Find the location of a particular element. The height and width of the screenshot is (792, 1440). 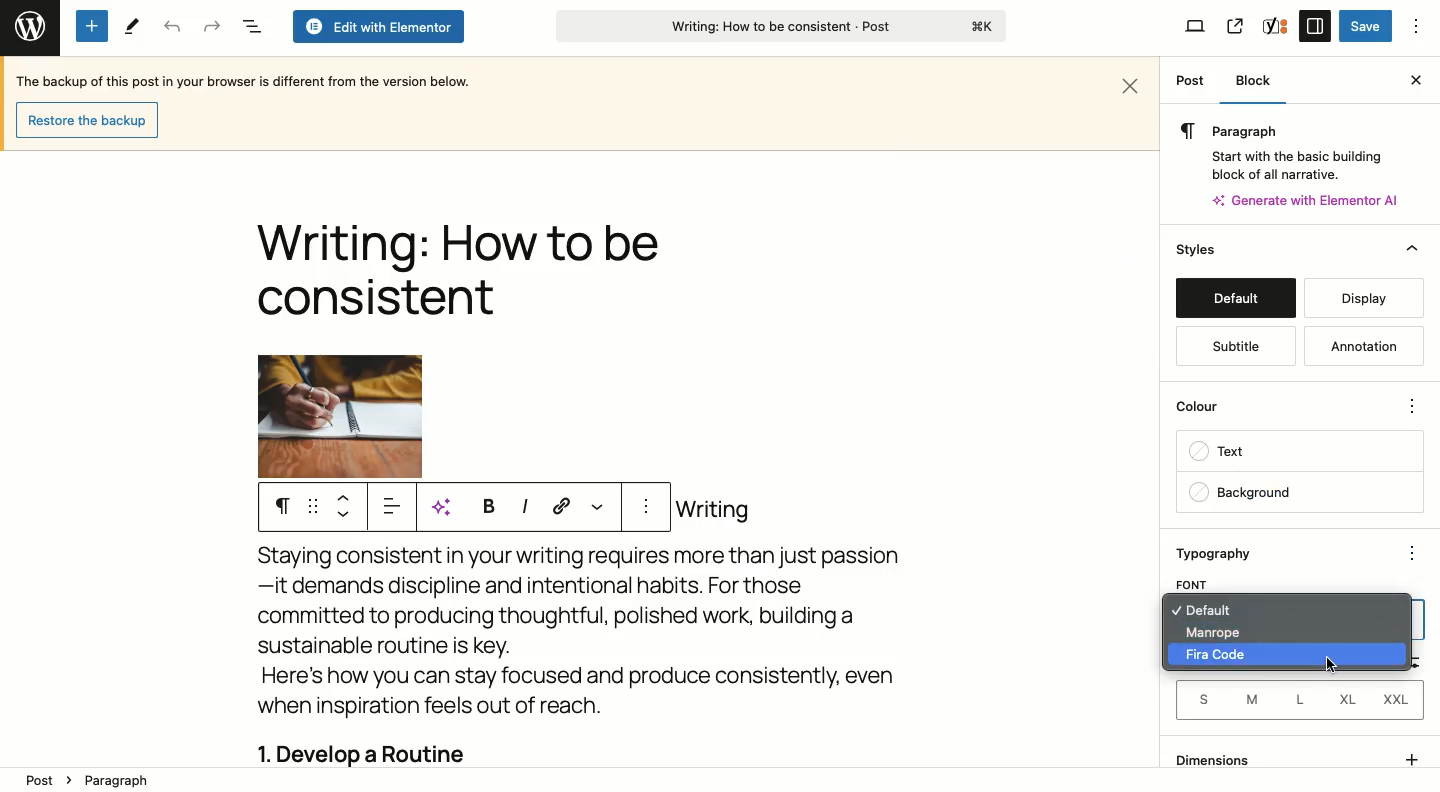

View is located at coordinates (1196, 28).